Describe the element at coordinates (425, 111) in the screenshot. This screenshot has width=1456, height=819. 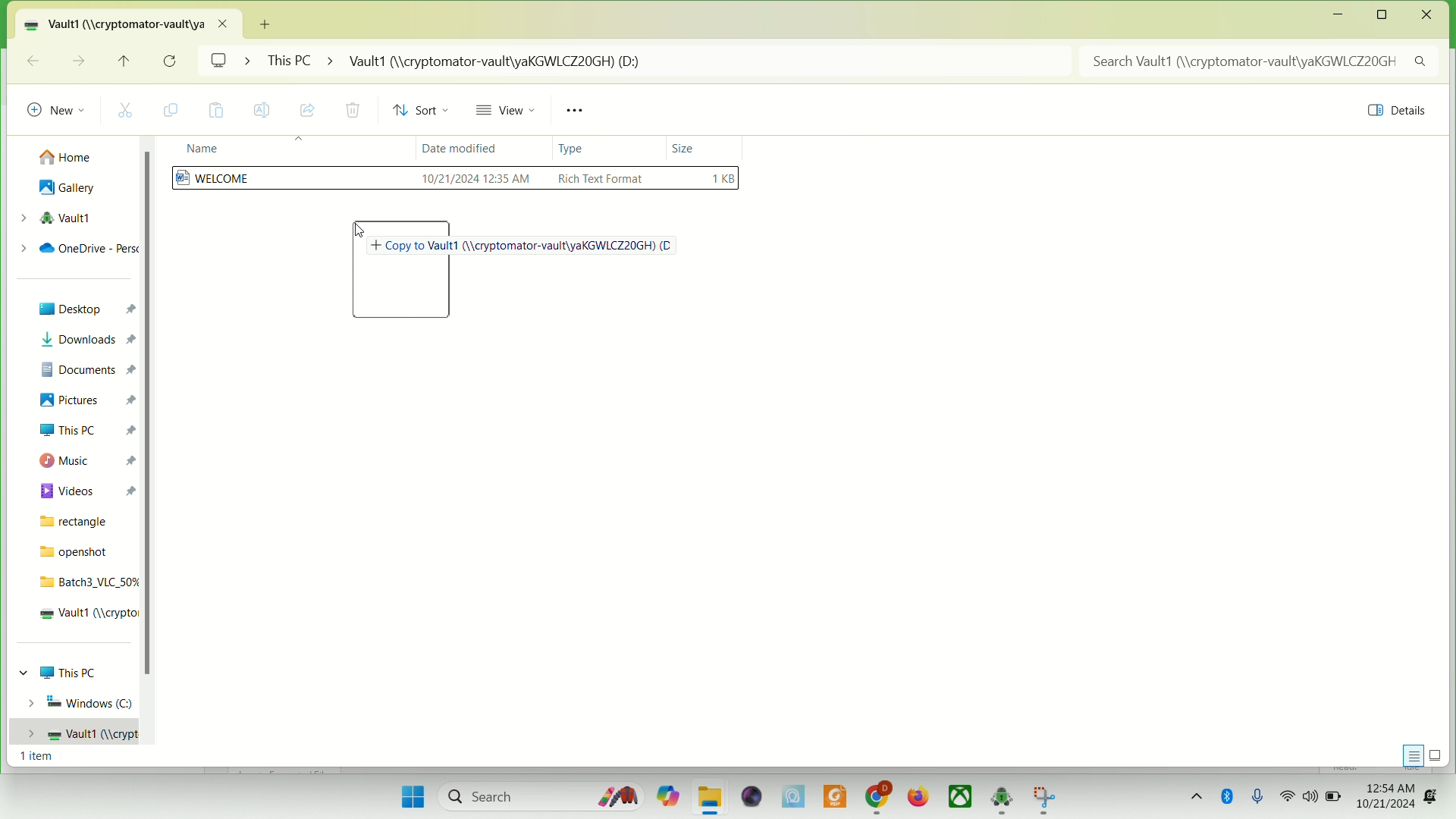
I see `sort` at that location.